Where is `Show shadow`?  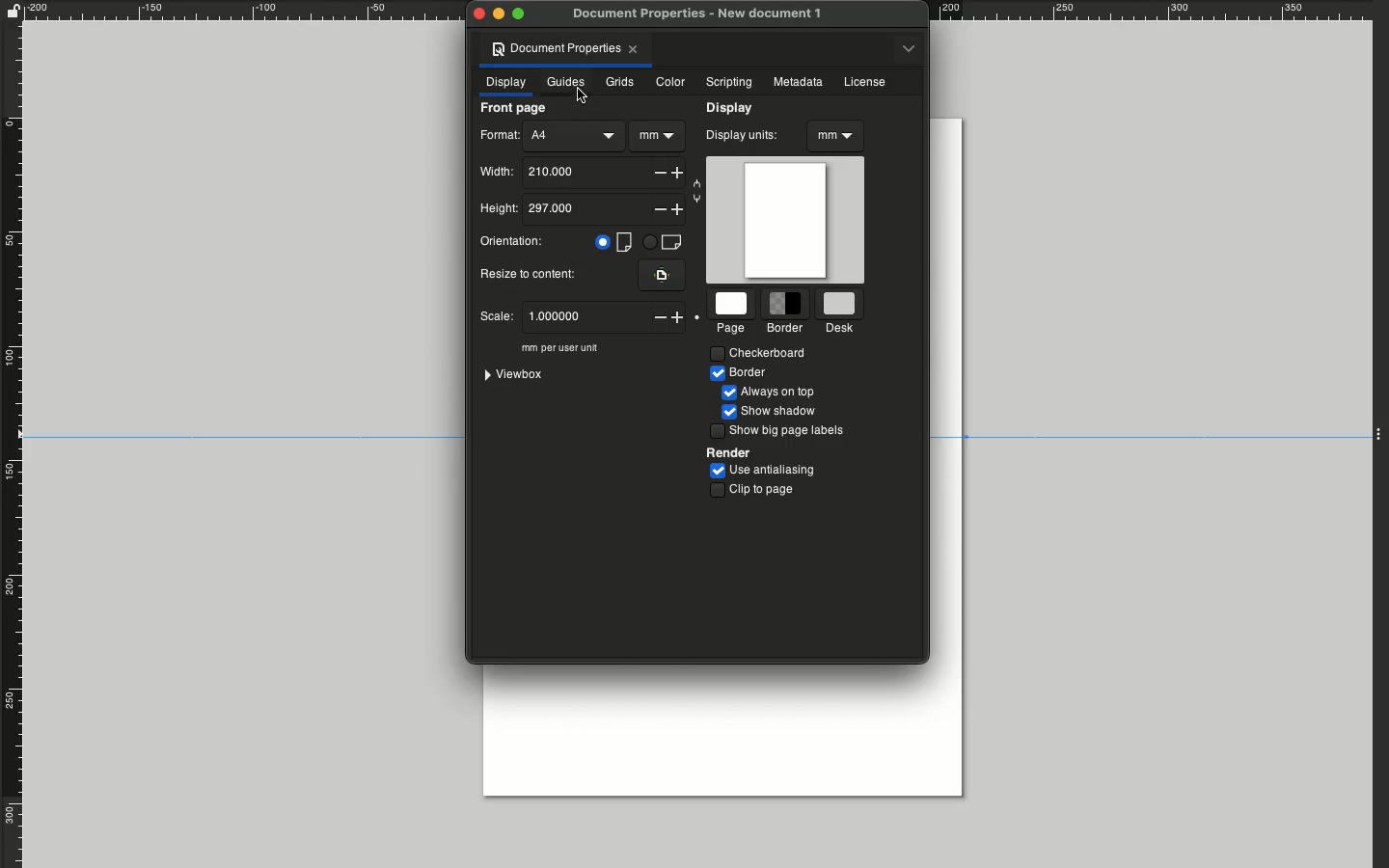 Show shadow is located at coordinates (769, 410).